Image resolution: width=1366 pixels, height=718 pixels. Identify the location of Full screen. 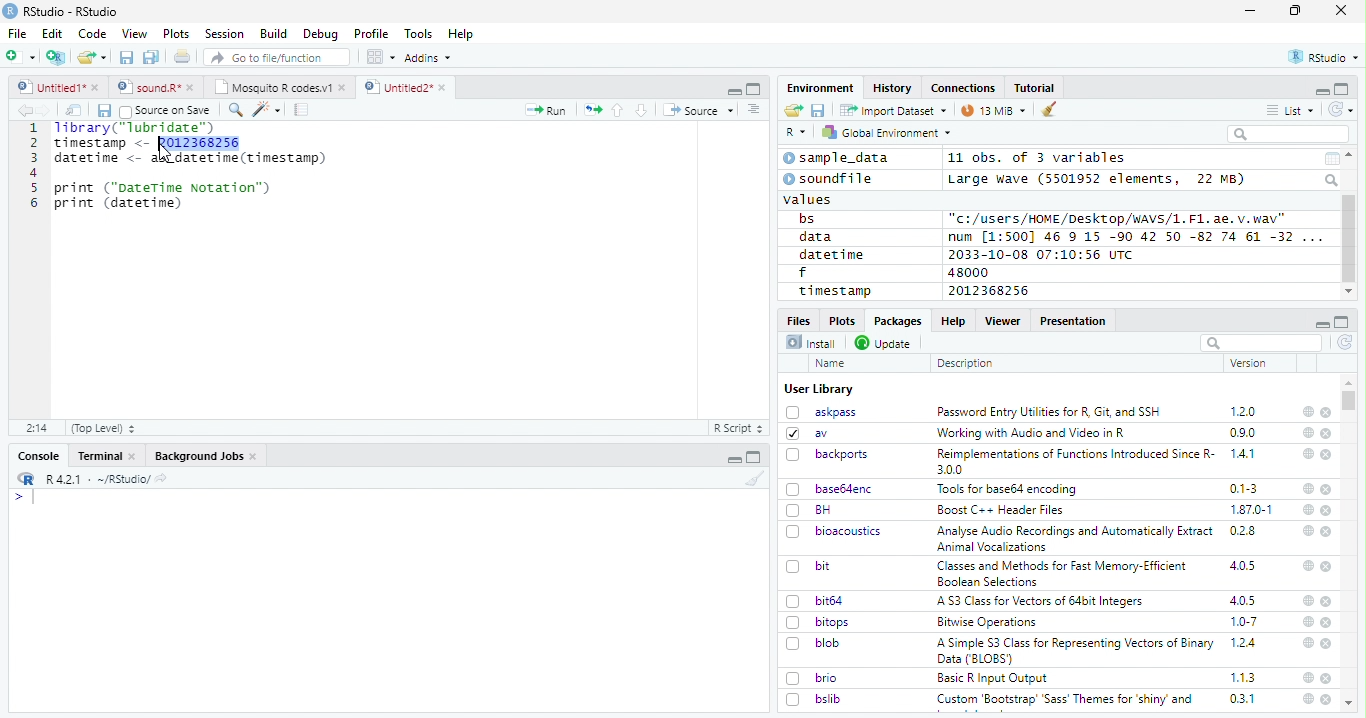
(754, 88).